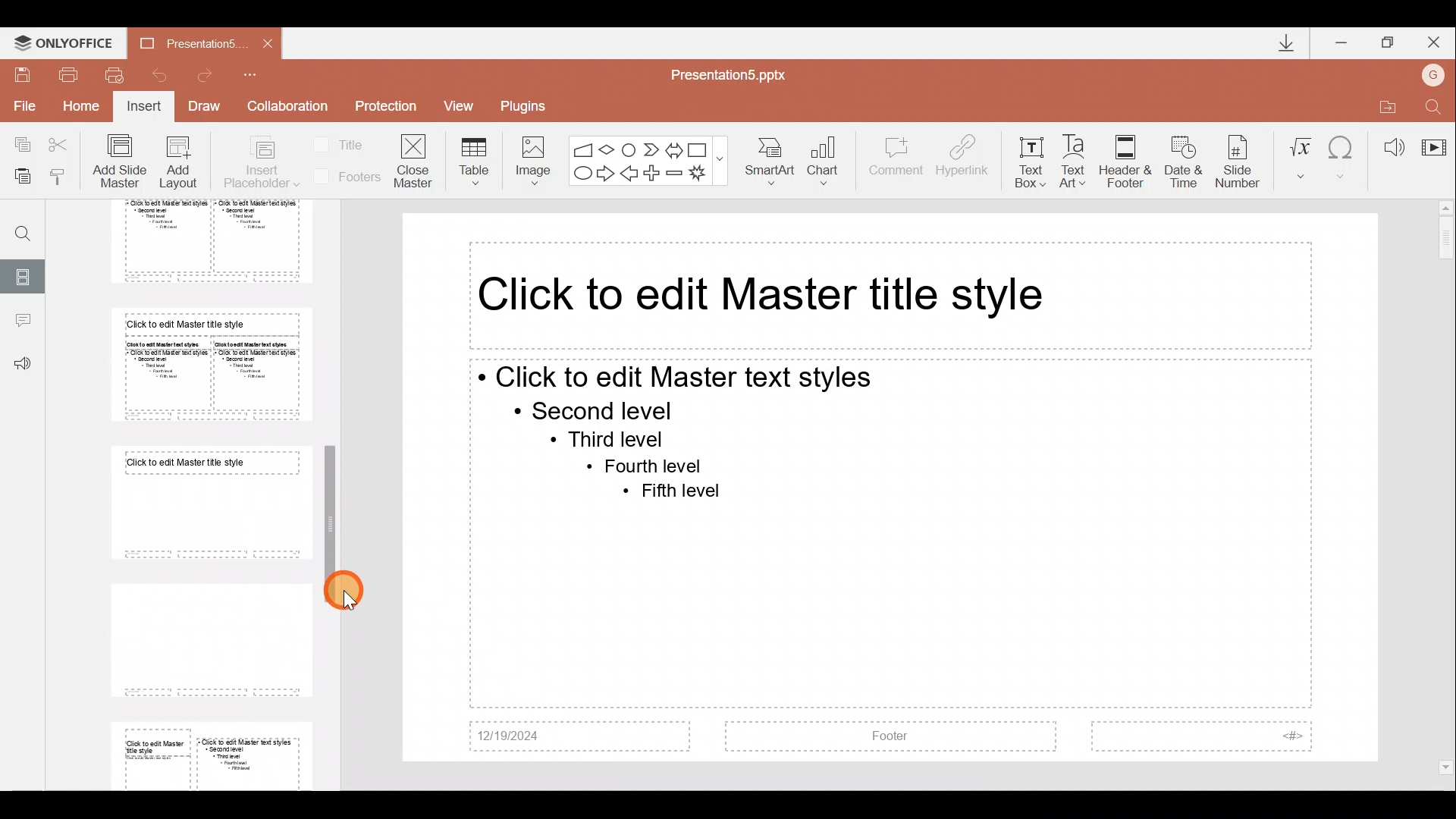 This screenshot has width=1456, height=819. I want to click on Slide 7, so click(206, 503).